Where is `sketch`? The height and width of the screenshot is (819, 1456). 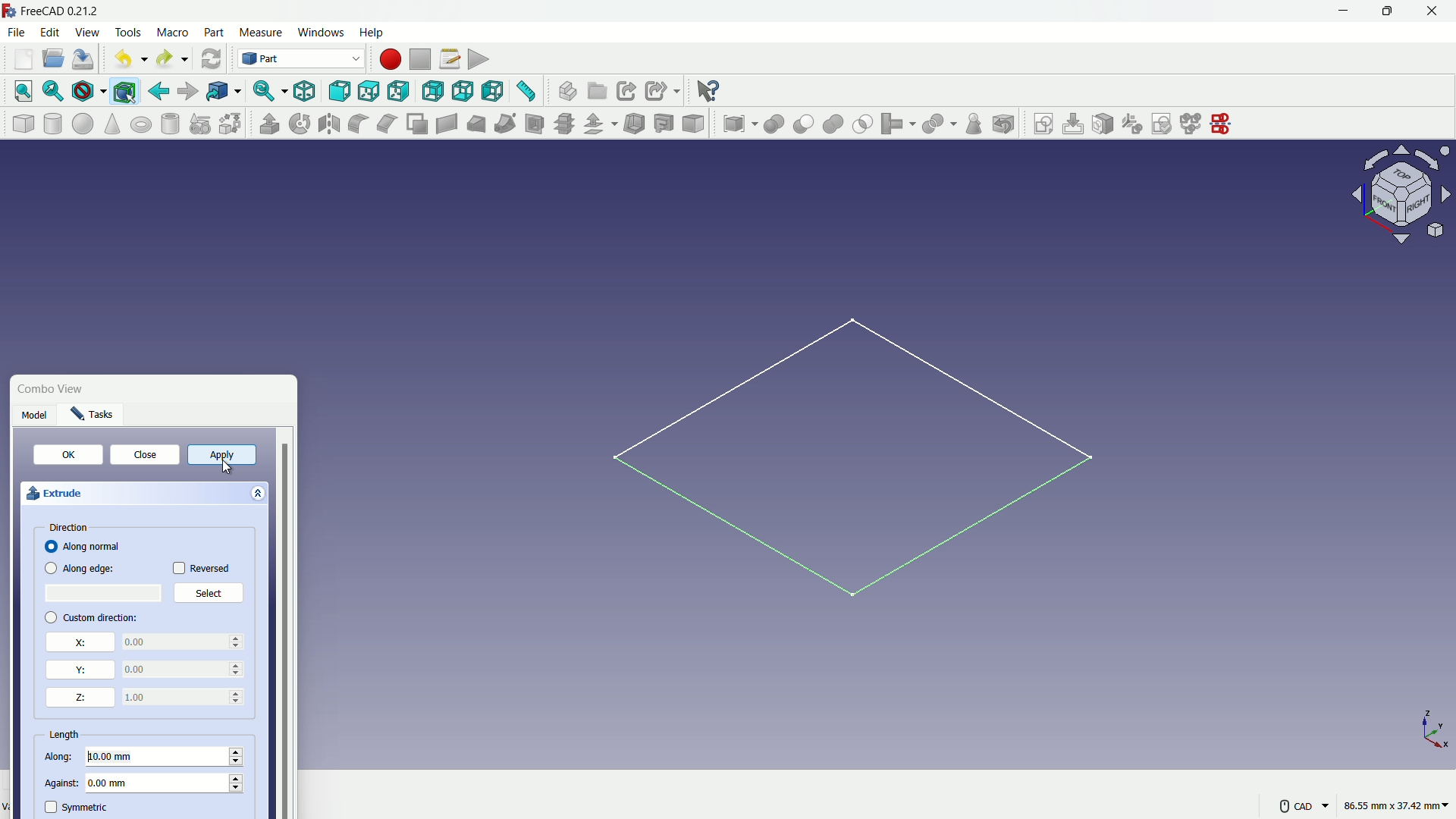
sketch is located at coordinates (850, 467).